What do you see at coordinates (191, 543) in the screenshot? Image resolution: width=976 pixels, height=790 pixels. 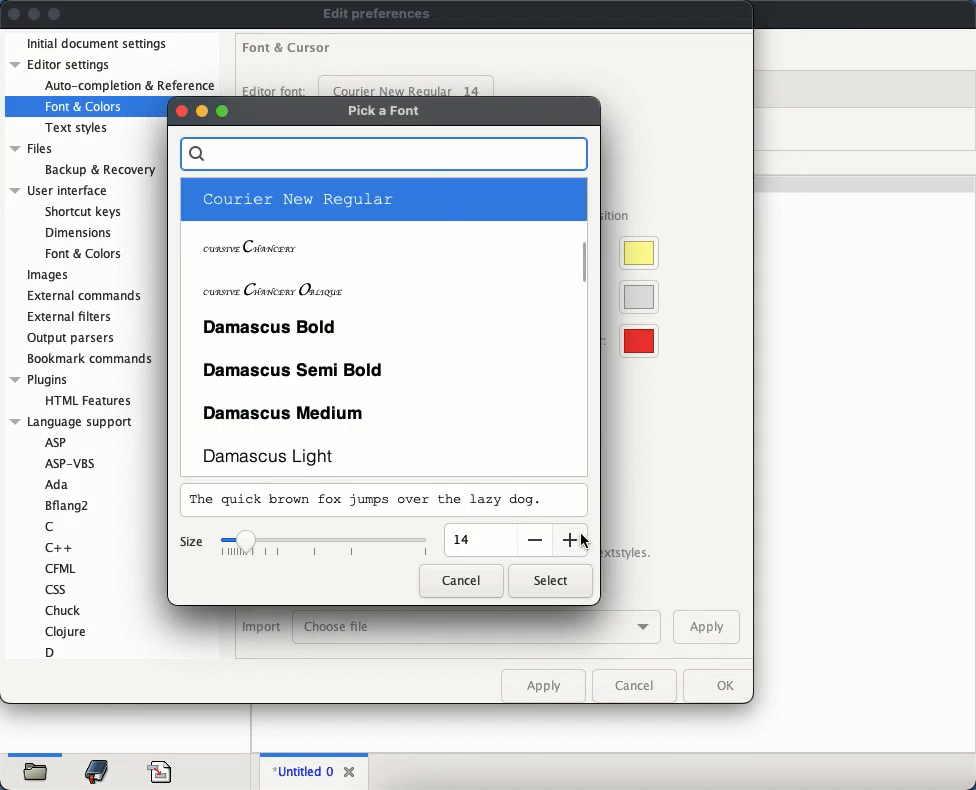 I see `size` at bounding box center [191, 543].